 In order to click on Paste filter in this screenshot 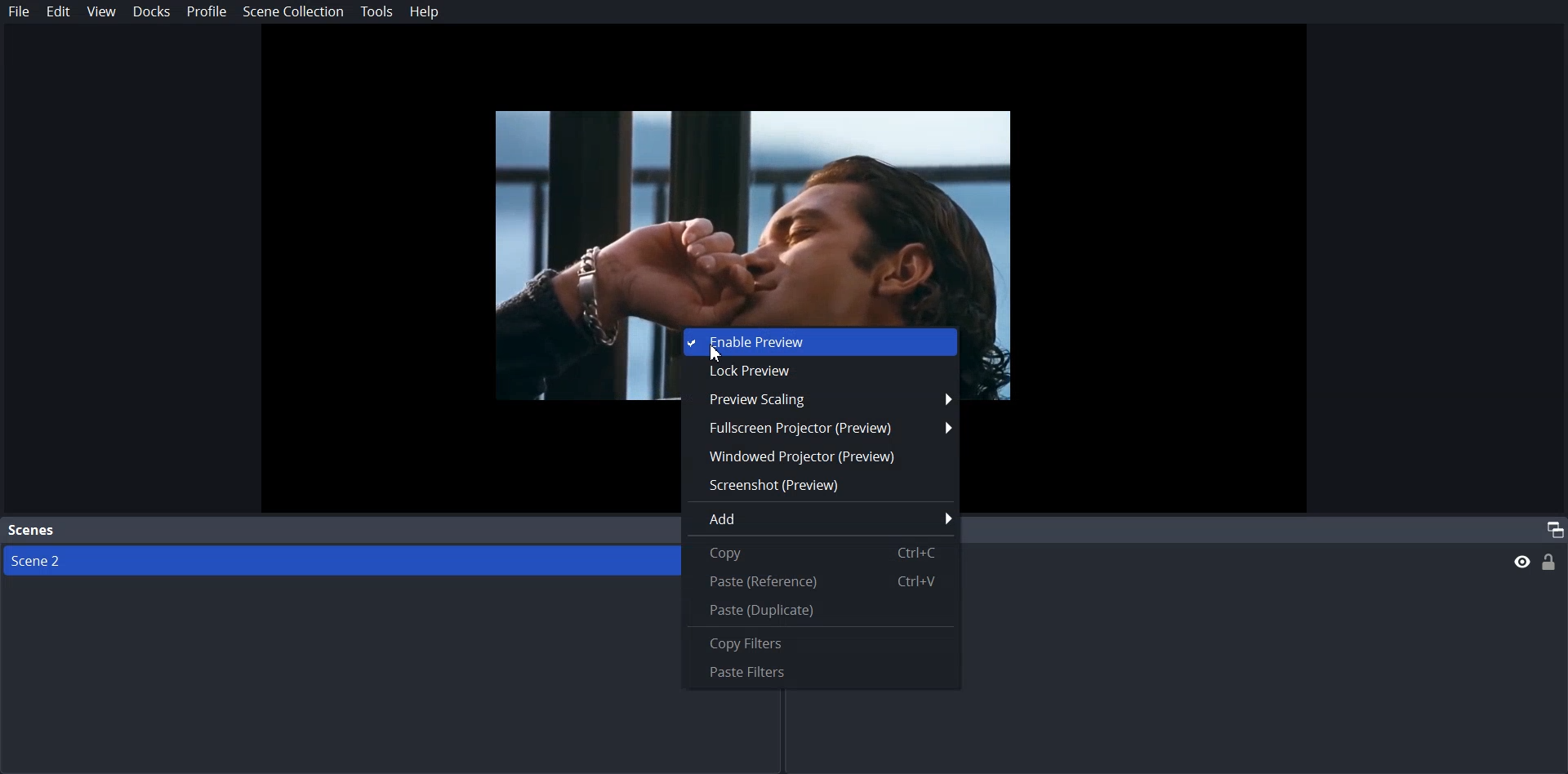, I will do `click(820, 672)`.